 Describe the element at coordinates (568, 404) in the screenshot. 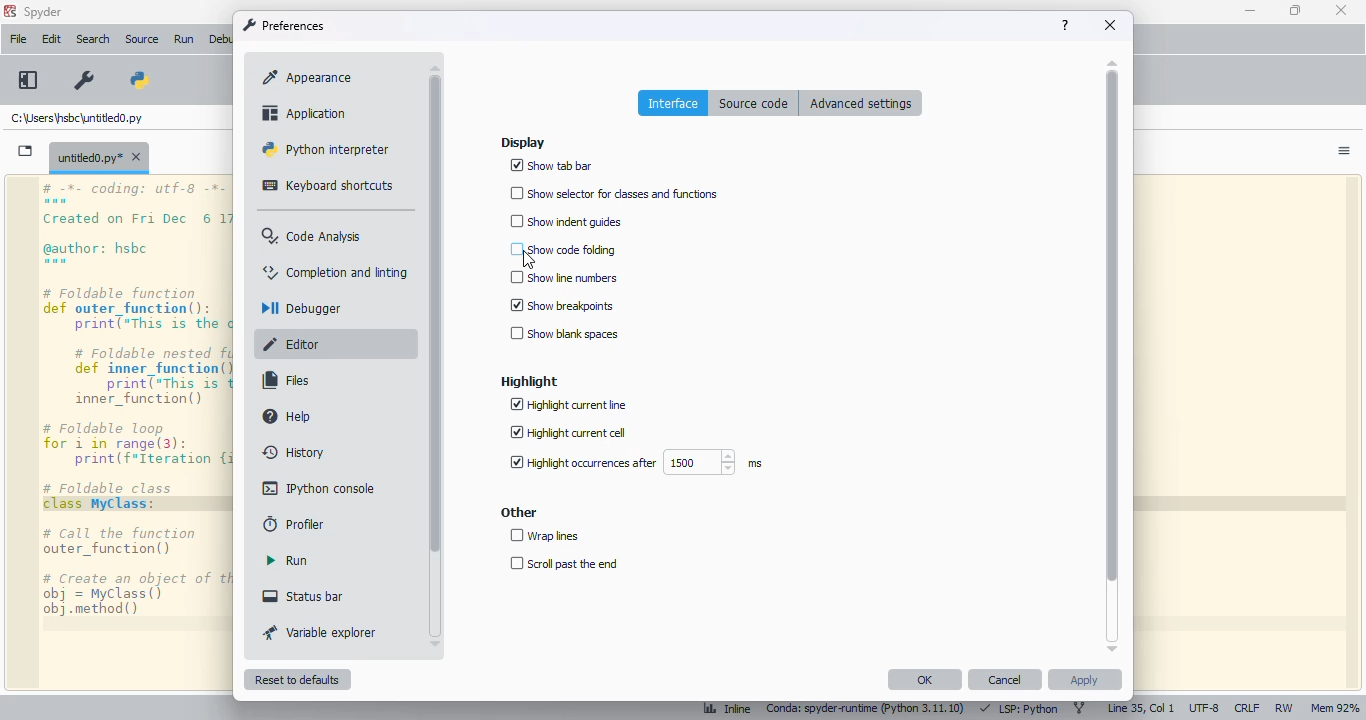

I see `highlight current line` at that location.